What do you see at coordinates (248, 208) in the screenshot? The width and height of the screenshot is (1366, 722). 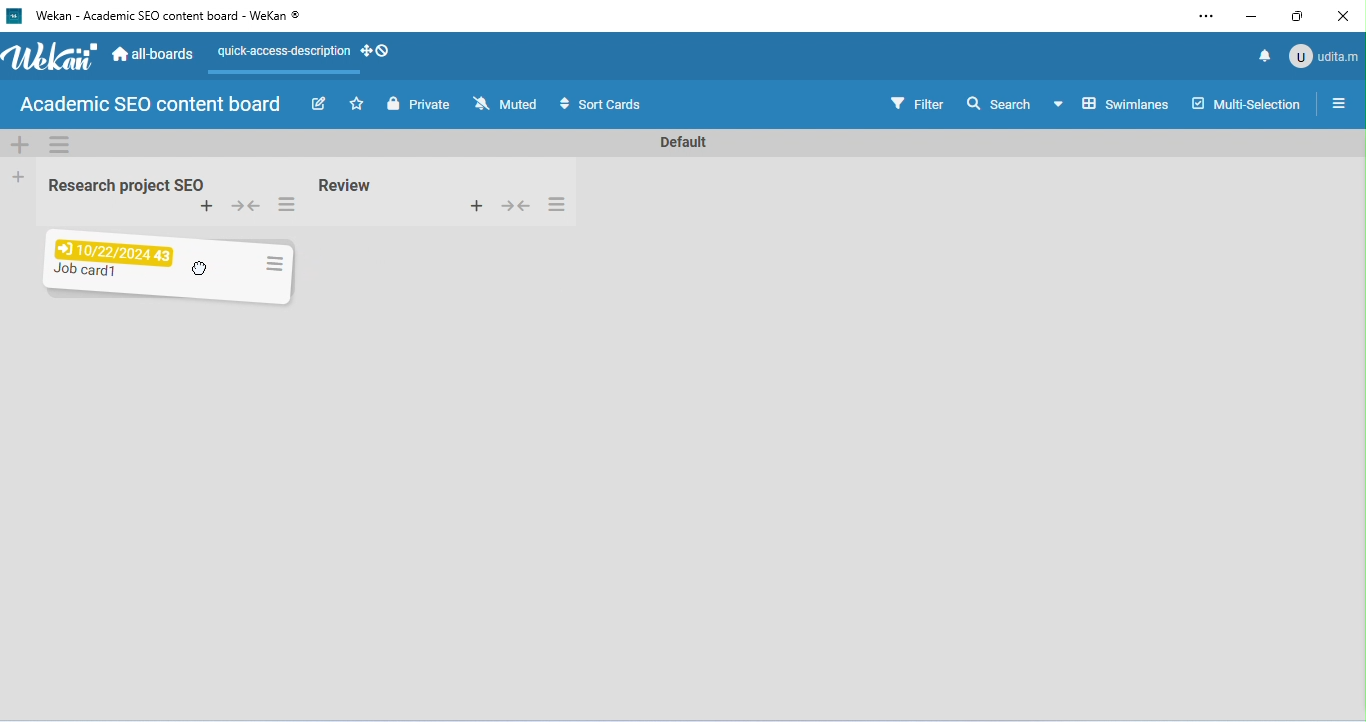 I see `collapse` at bounding box center [248, 208].